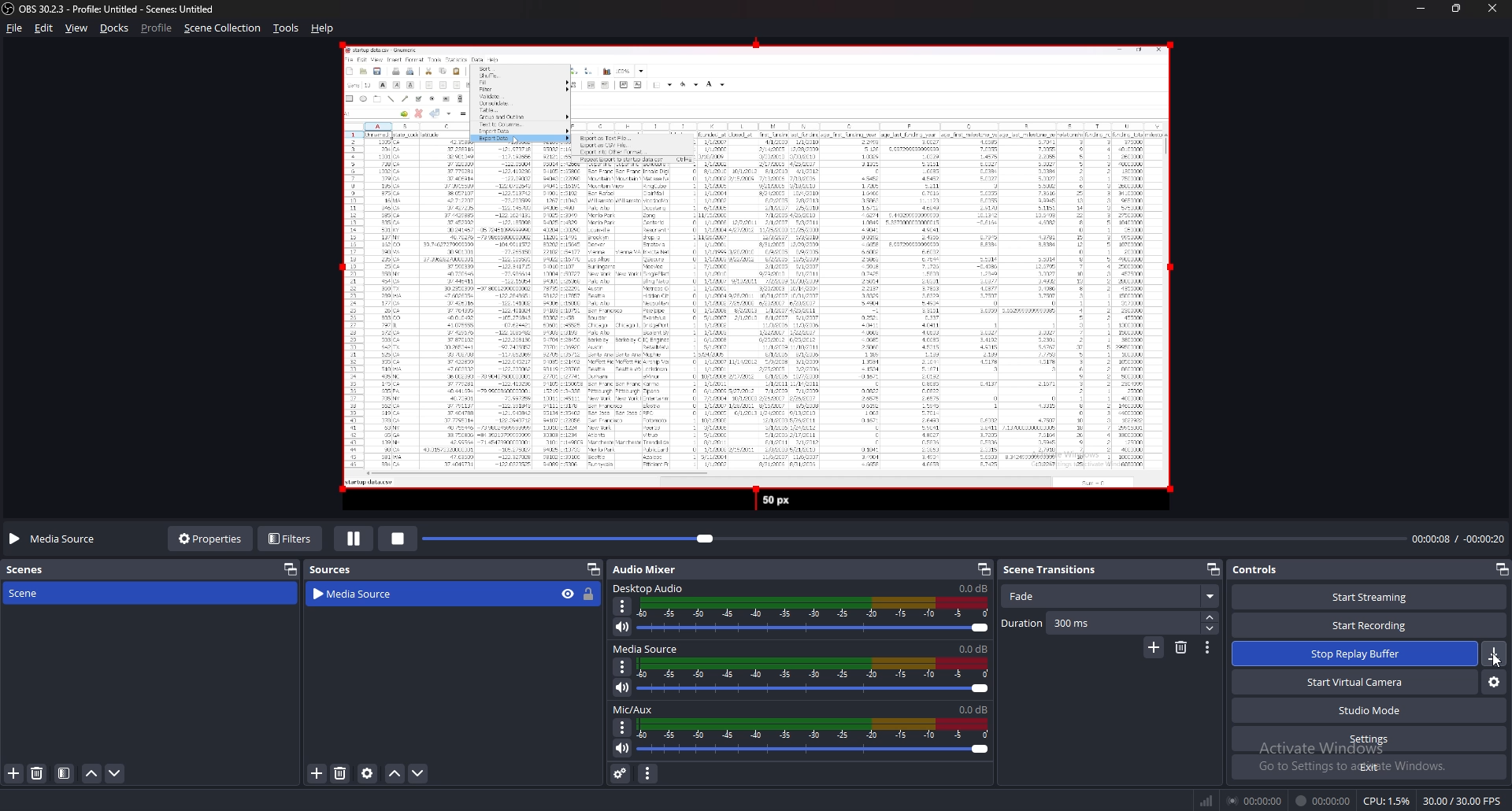 This screenshot has height=811, width=1512. I want to click on advanced audio properties, so click(621, 772).